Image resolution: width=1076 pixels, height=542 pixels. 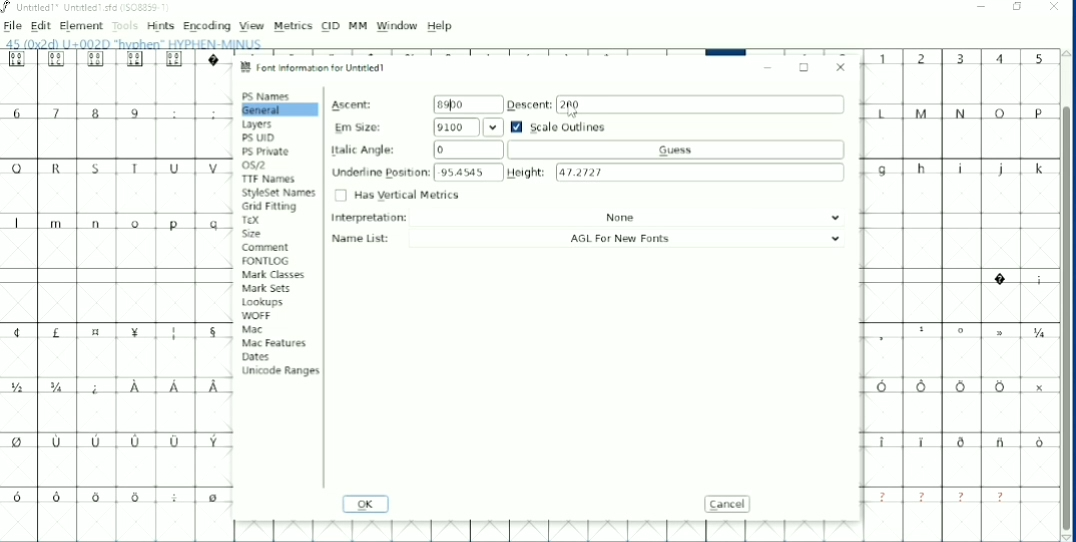 What do you see at coordinates (677, 171) in the screenshot?
I see `Height` at bounding box center [677, 171].